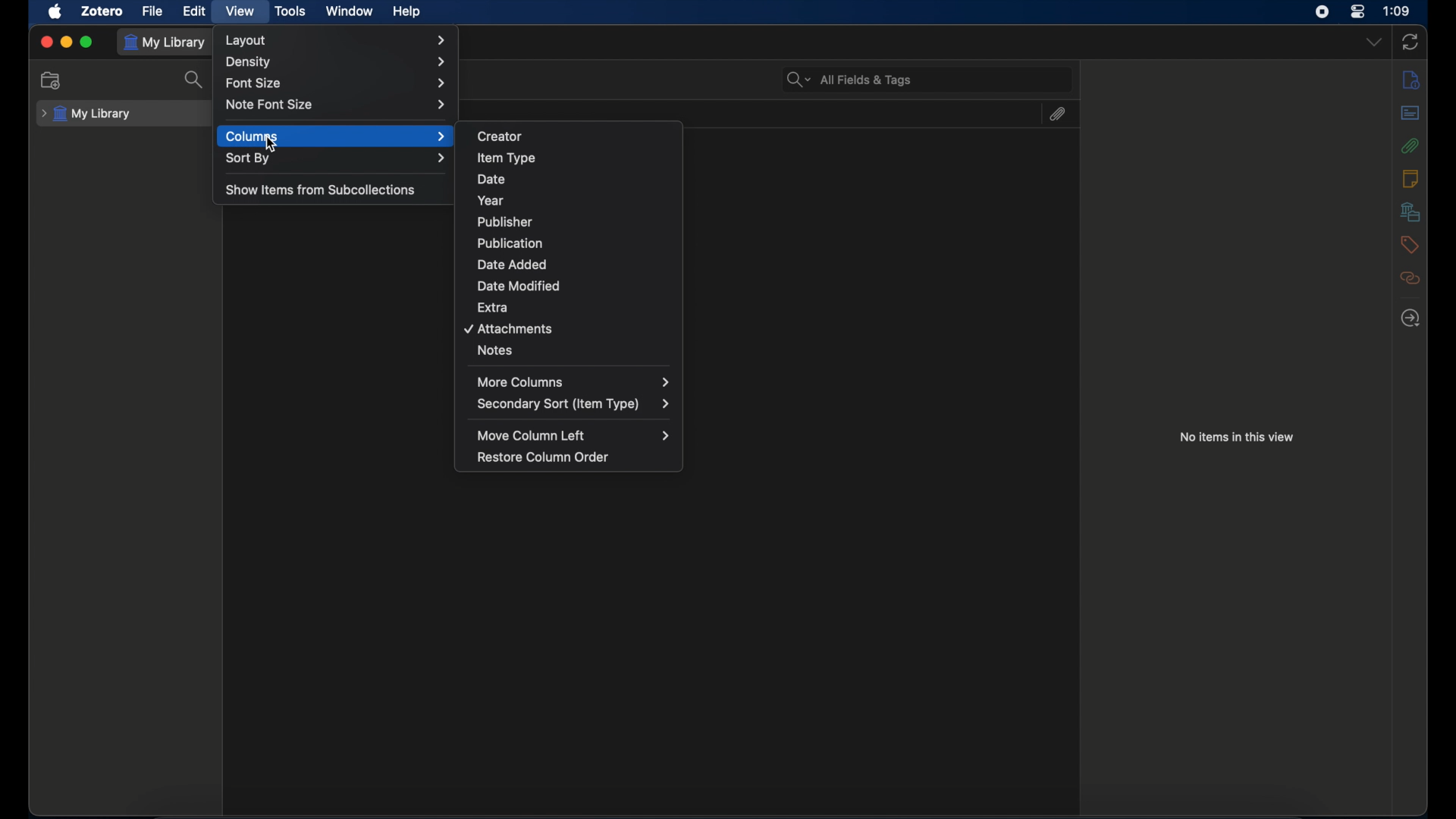  Describe the element at coordinates (511, 264) in the screenshot. I see `date added` at that location.